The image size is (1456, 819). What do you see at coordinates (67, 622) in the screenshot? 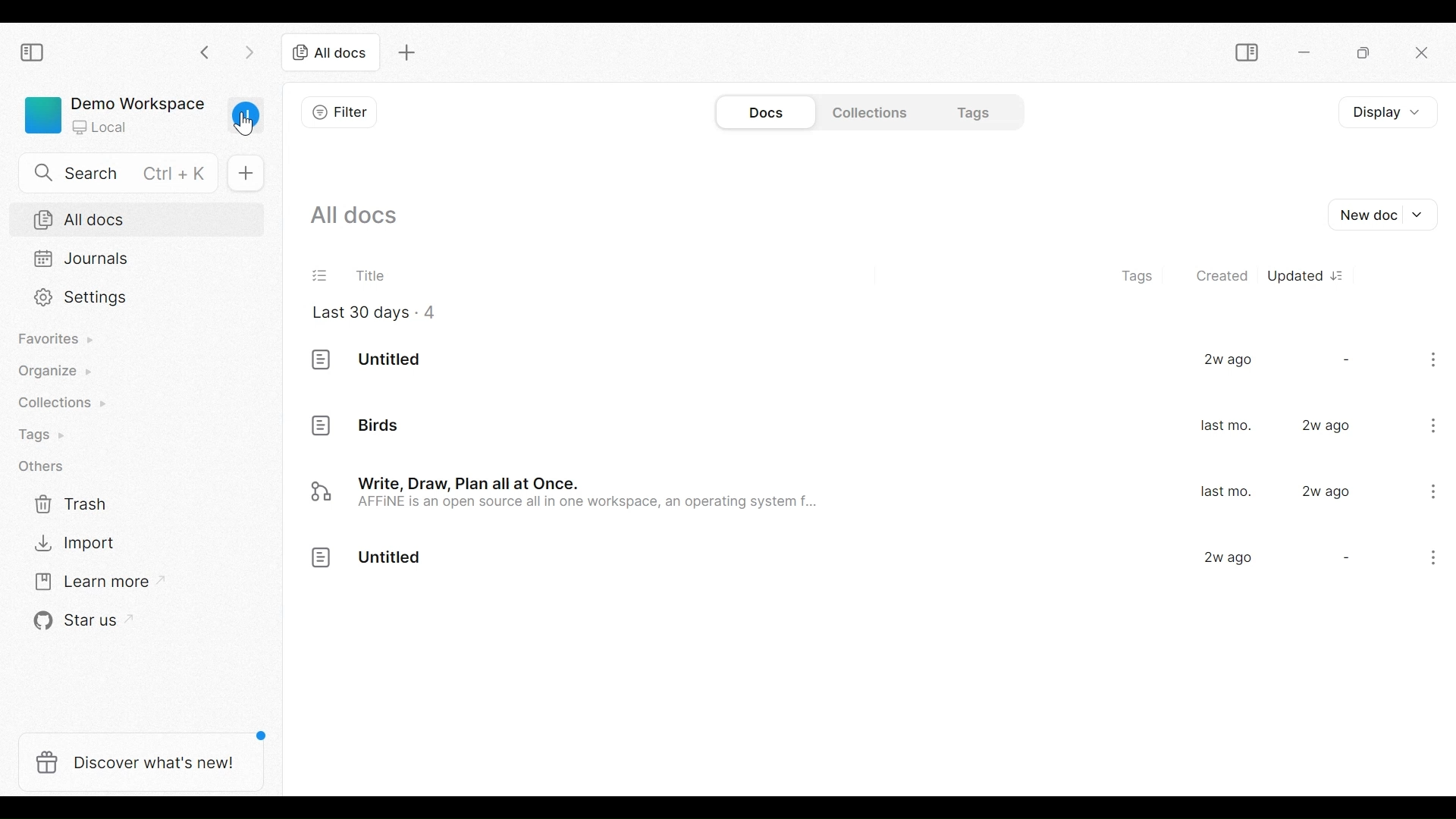
I see `Star us` at bounding box center [67, 622].